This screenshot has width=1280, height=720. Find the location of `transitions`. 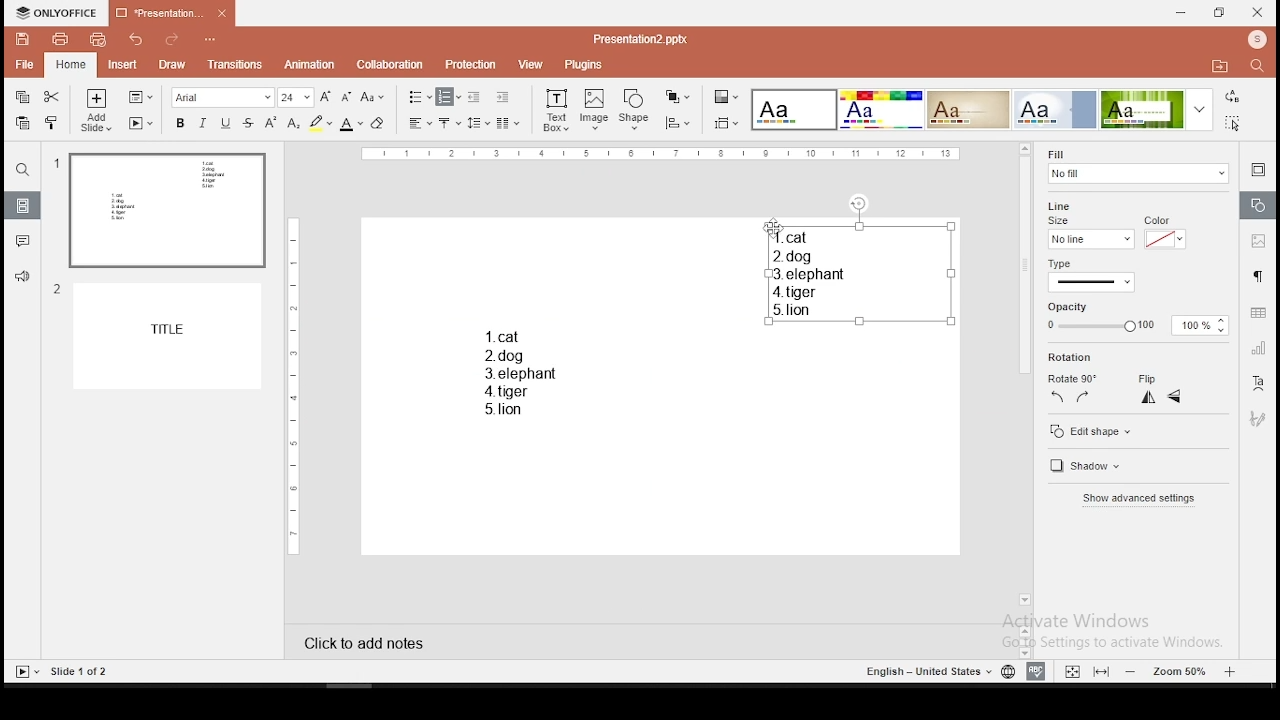

transitions is located at coordinates (232, 66).